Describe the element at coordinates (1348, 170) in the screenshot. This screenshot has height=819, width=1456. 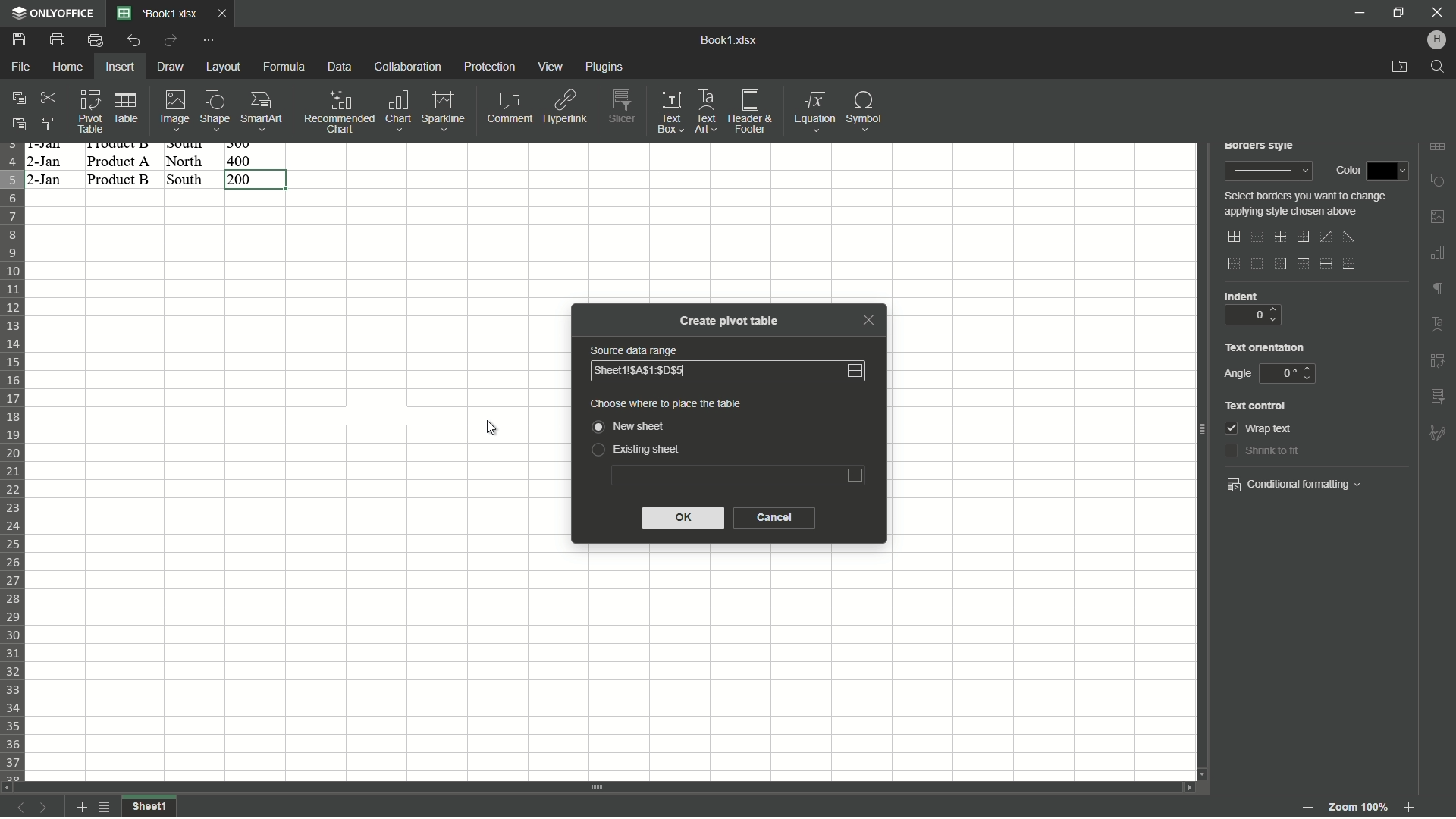
I see `color` at that location.